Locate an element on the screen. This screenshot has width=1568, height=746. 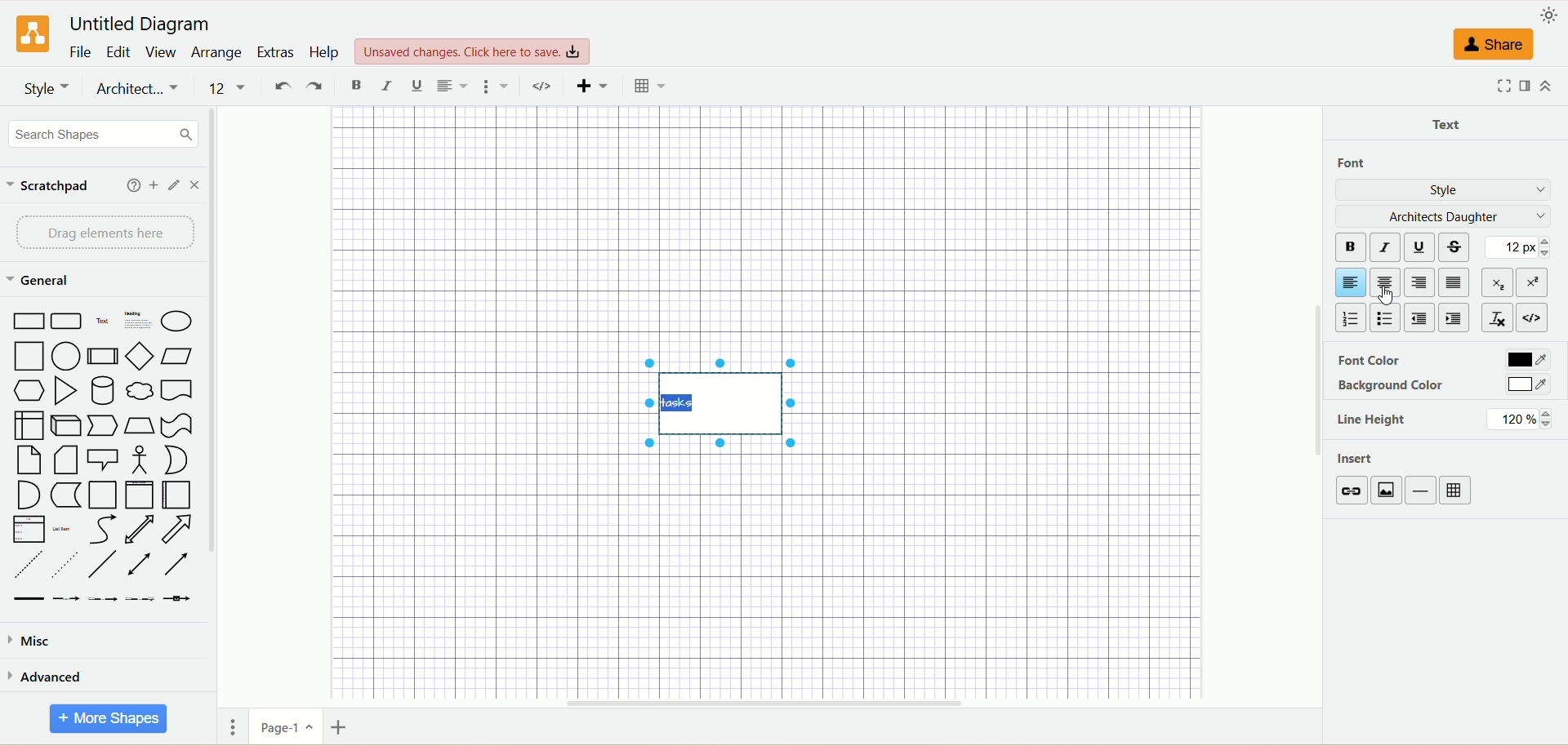
background color is located at coordinates (1392, 387).